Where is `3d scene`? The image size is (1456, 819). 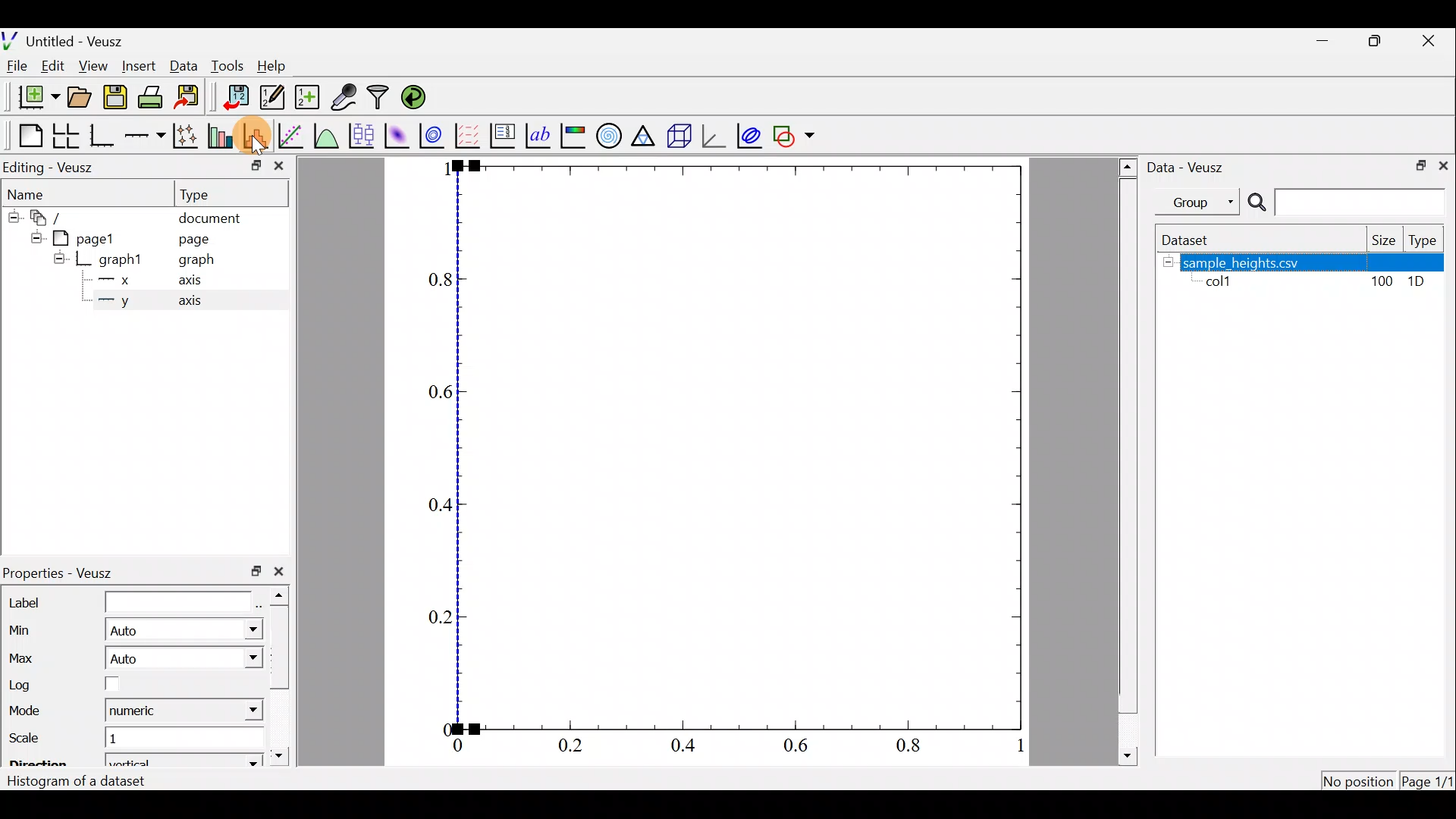 3d scene is located at coordinates (682, 135).